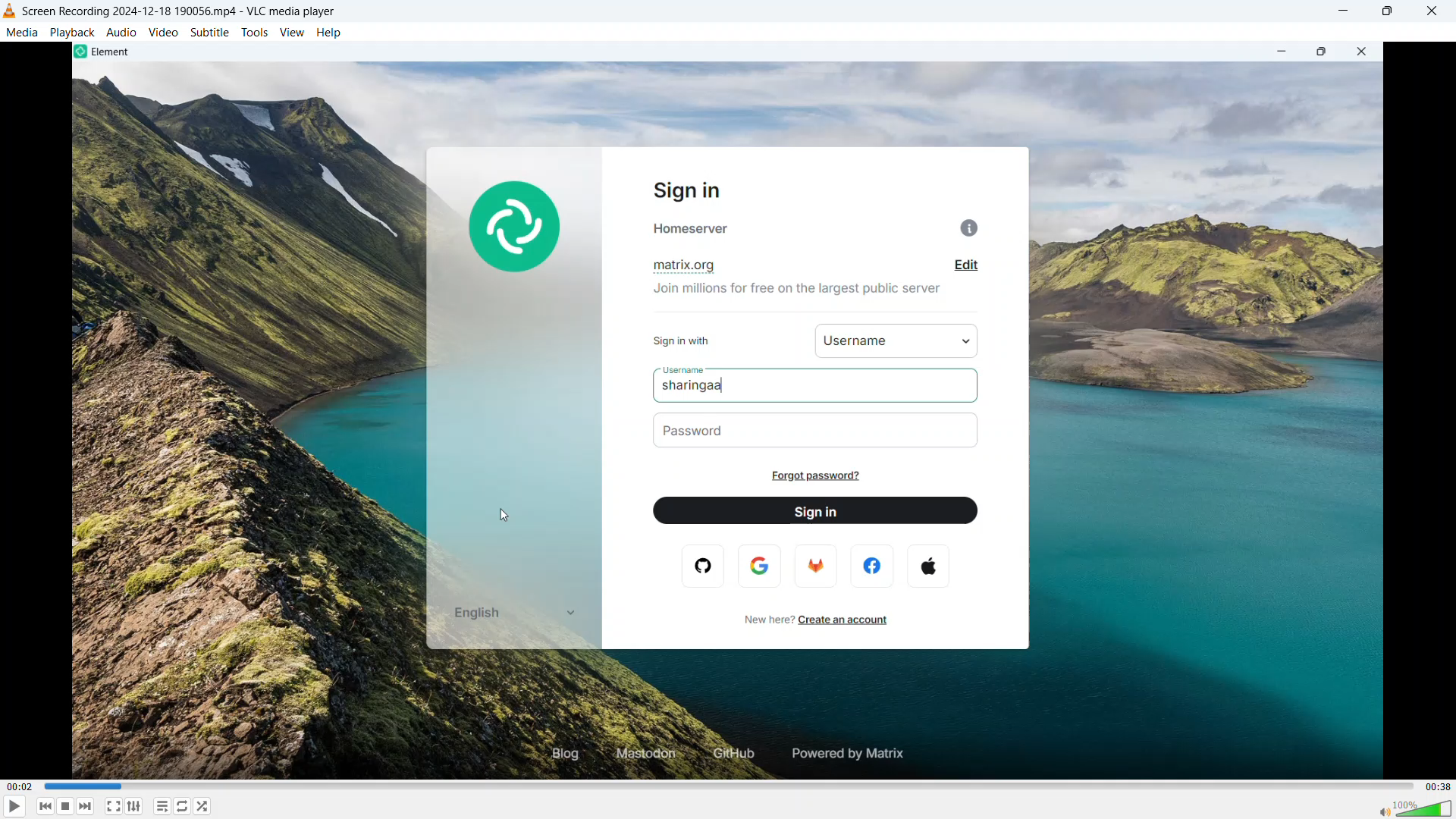  I want to click on Time bar , so click(734, 786).